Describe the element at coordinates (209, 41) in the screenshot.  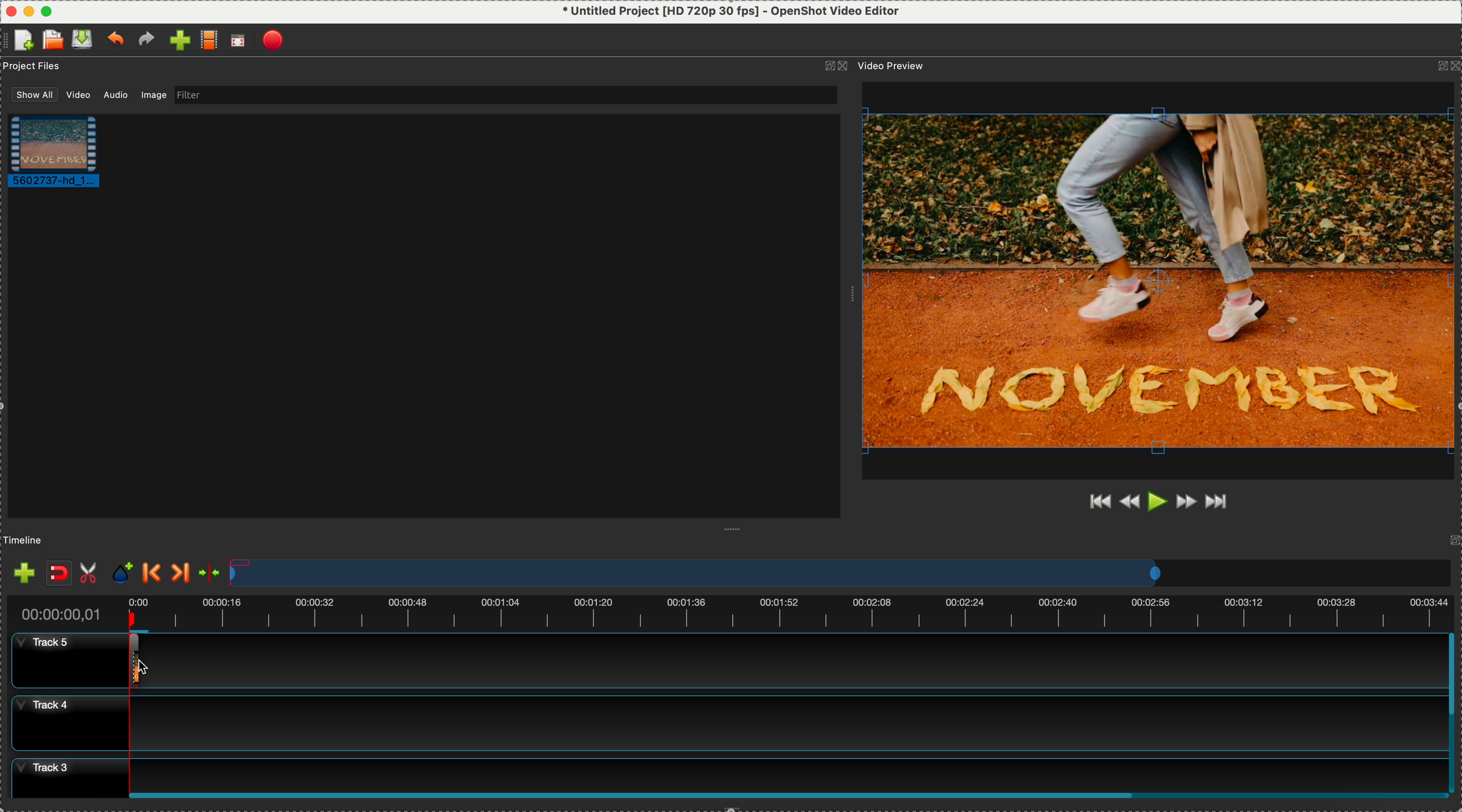
I see `choose profile` at that location.